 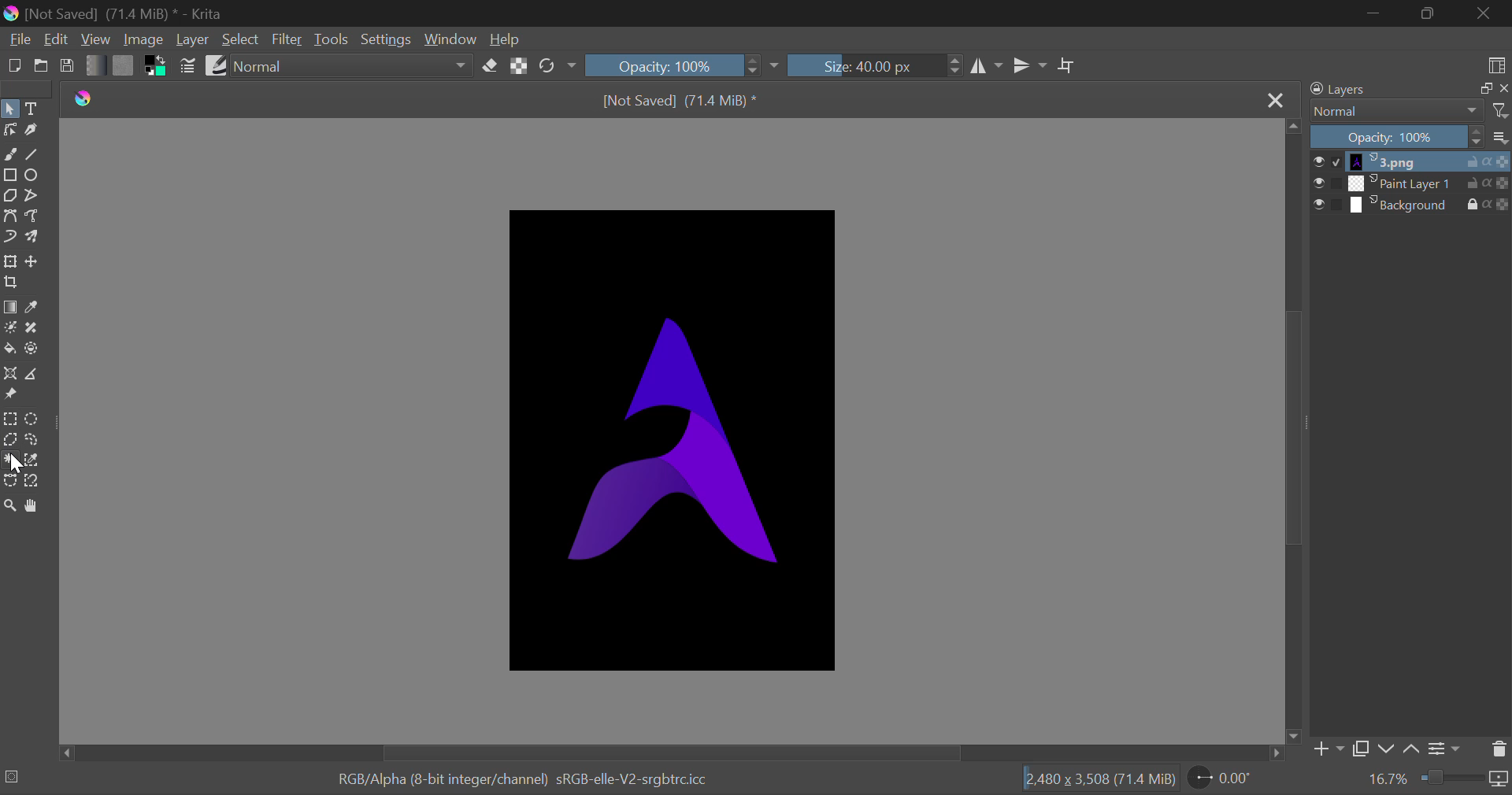 What do you see at coordinates (448, 39) in the screenshot?
I see `Window` at bounding box center [448, 39].